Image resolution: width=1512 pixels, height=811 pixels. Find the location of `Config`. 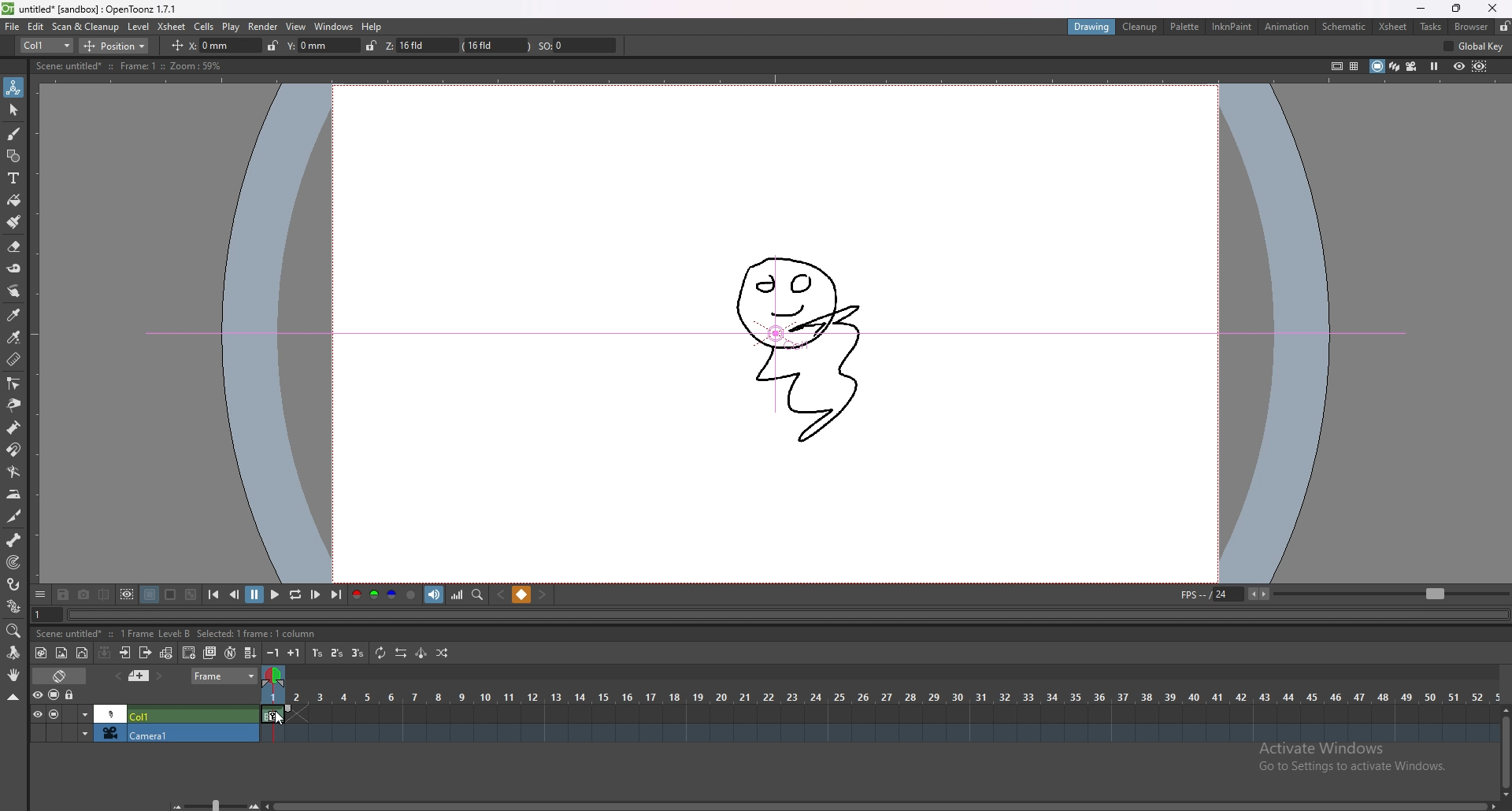

Config is located at coordinates (1478, 47).